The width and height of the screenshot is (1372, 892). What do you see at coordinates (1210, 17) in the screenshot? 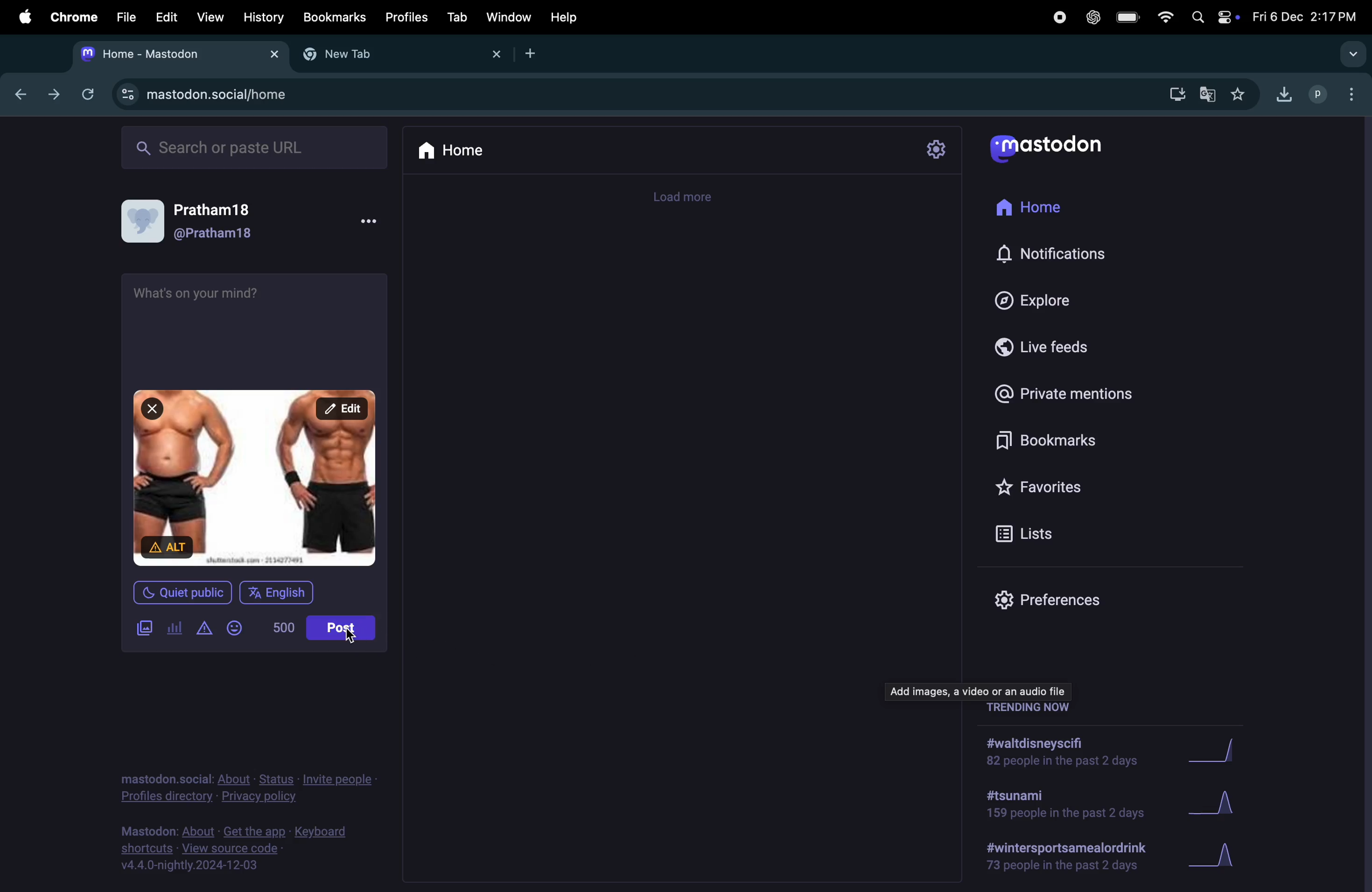
I see `apple widgets` at bounding box center [1210, 17].